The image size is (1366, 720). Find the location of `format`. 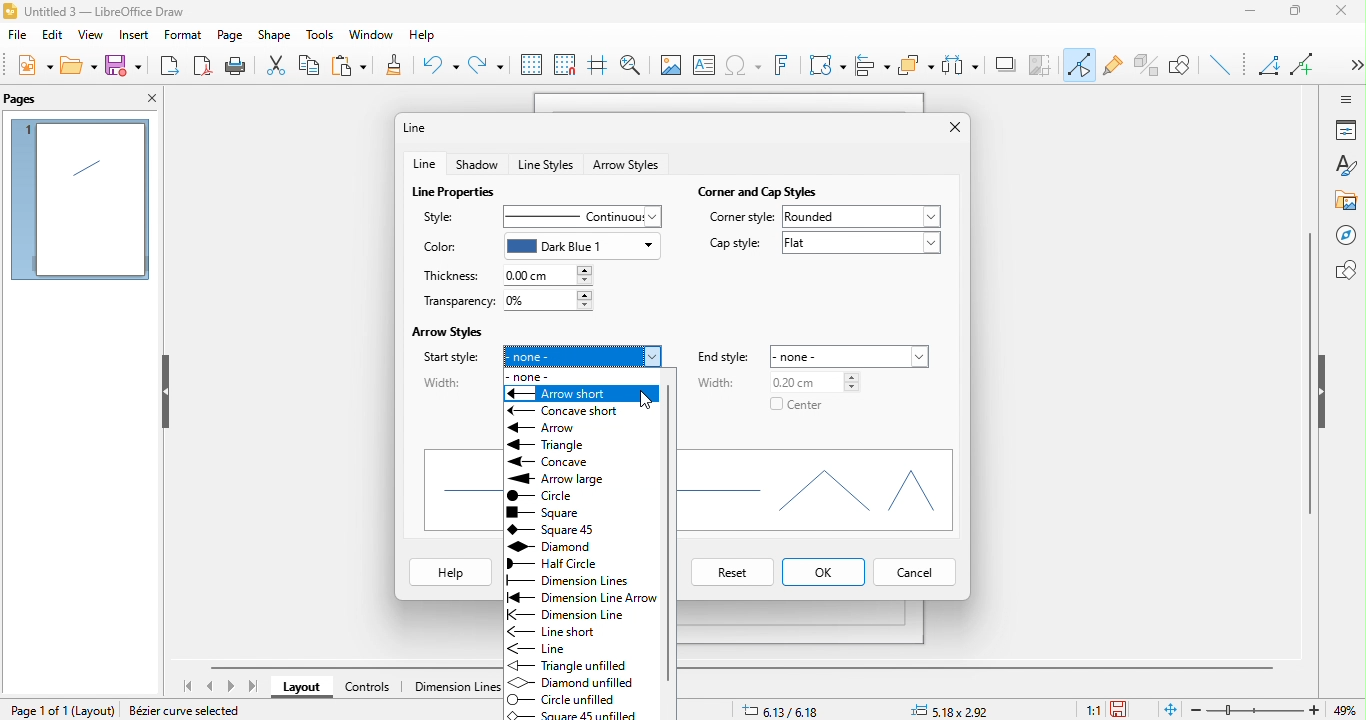

format is located at coordinates (181, 35).